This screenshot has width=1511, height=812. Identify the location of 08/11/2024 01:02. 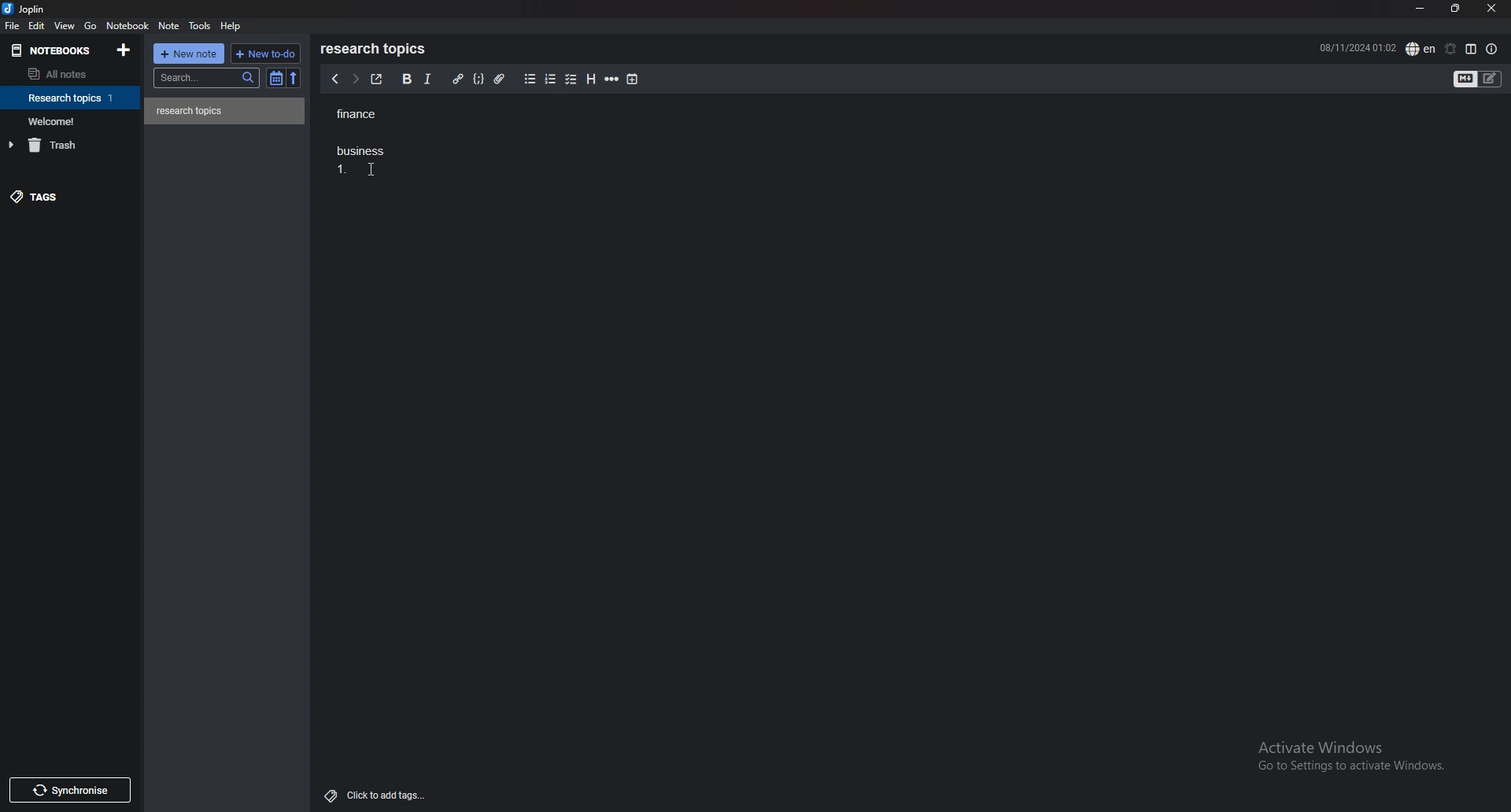
(1357, 47).